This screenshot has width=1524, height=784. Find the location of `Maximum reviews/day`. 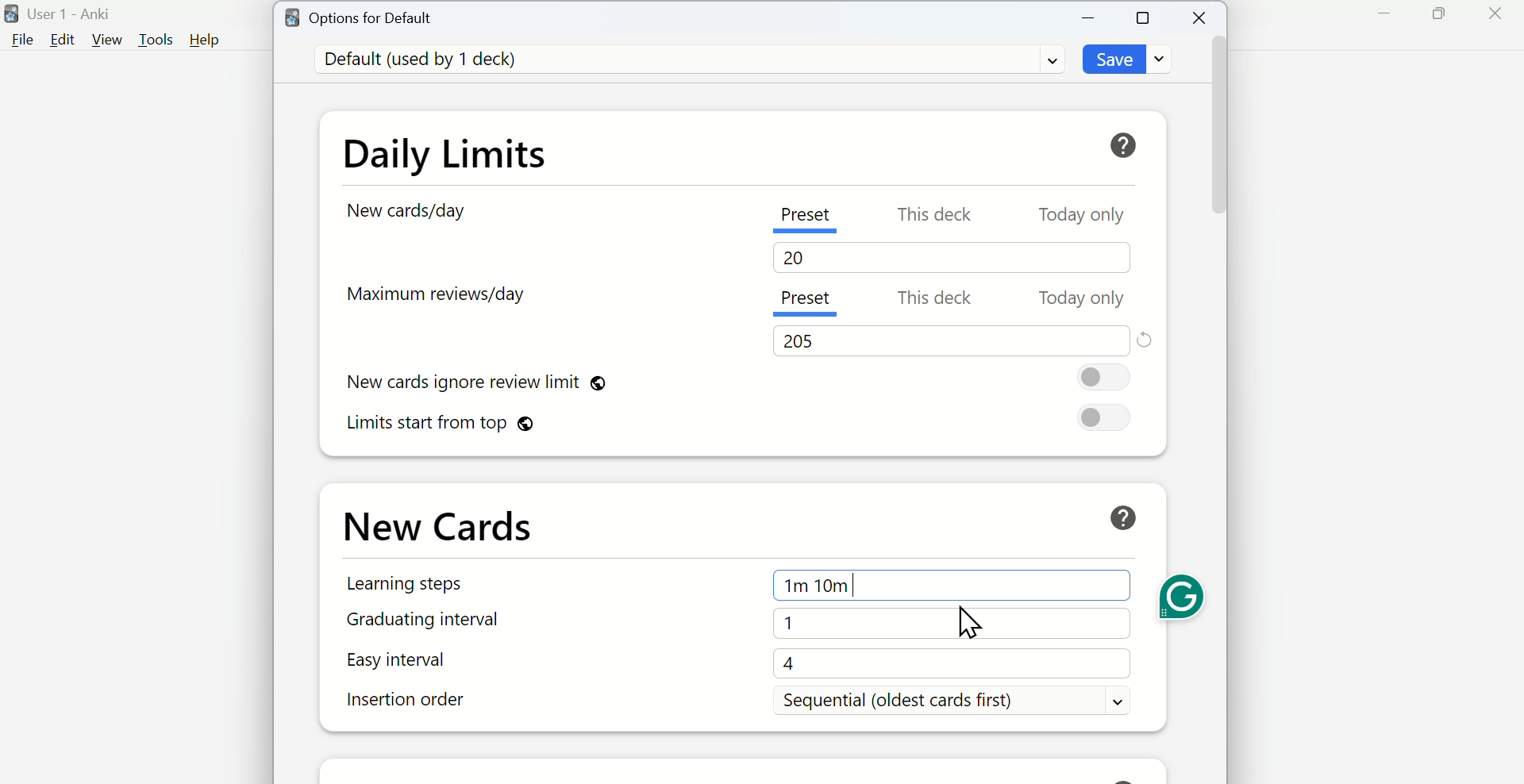

Maximum reviews/day is located at coordinates (445, 300).